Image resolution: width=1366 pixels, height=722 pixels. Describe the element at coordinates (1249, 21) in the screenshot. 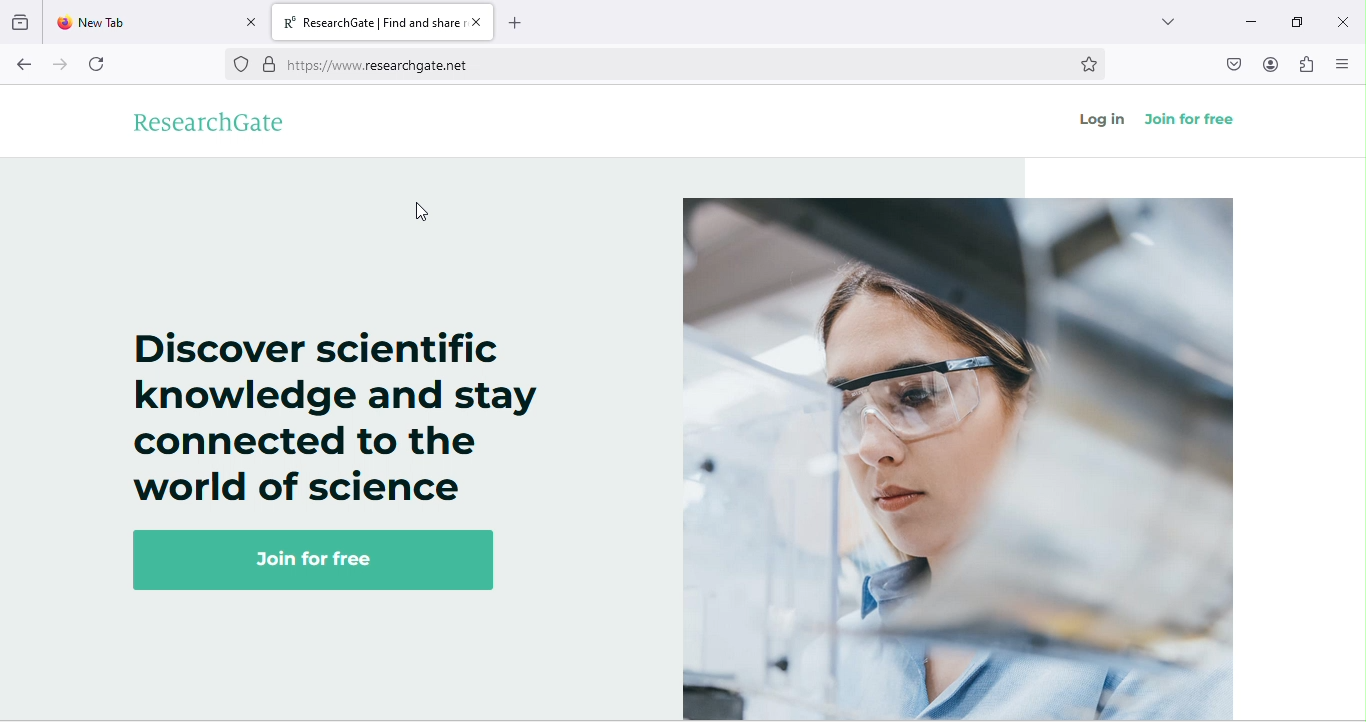

I see `minimize` at that location.